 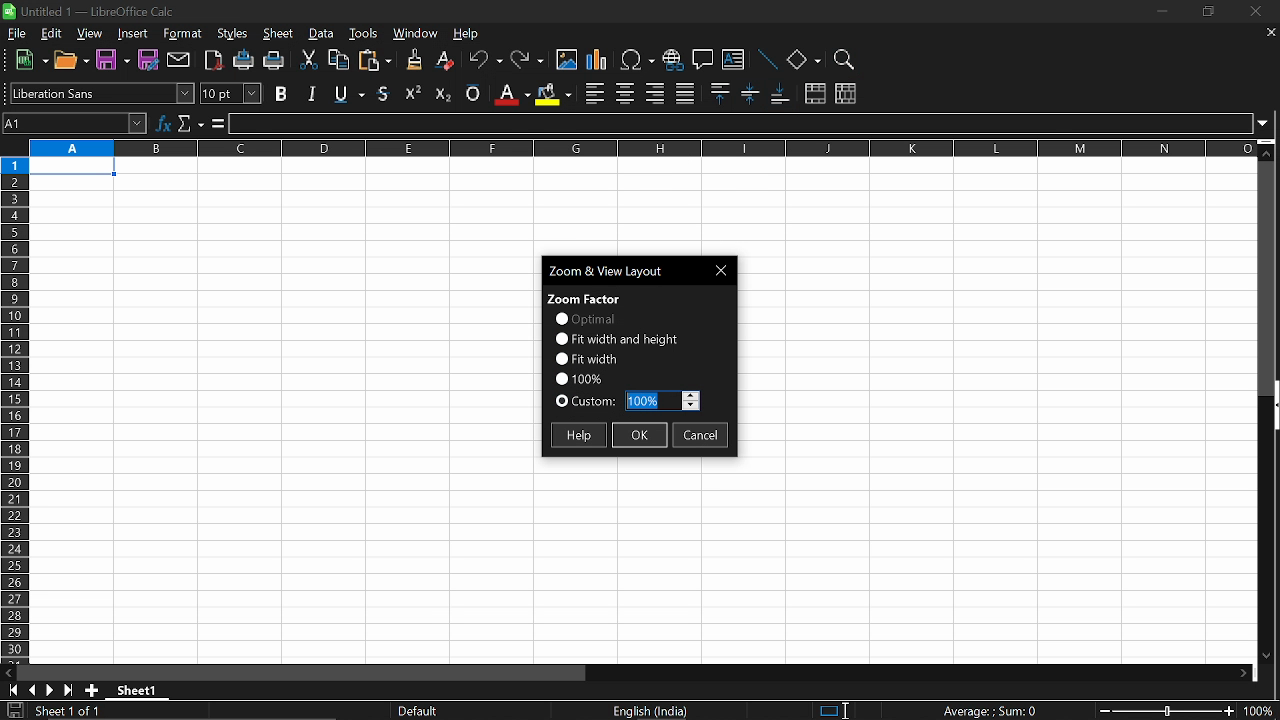 I want to click on Close, so click(x=724, y=270).